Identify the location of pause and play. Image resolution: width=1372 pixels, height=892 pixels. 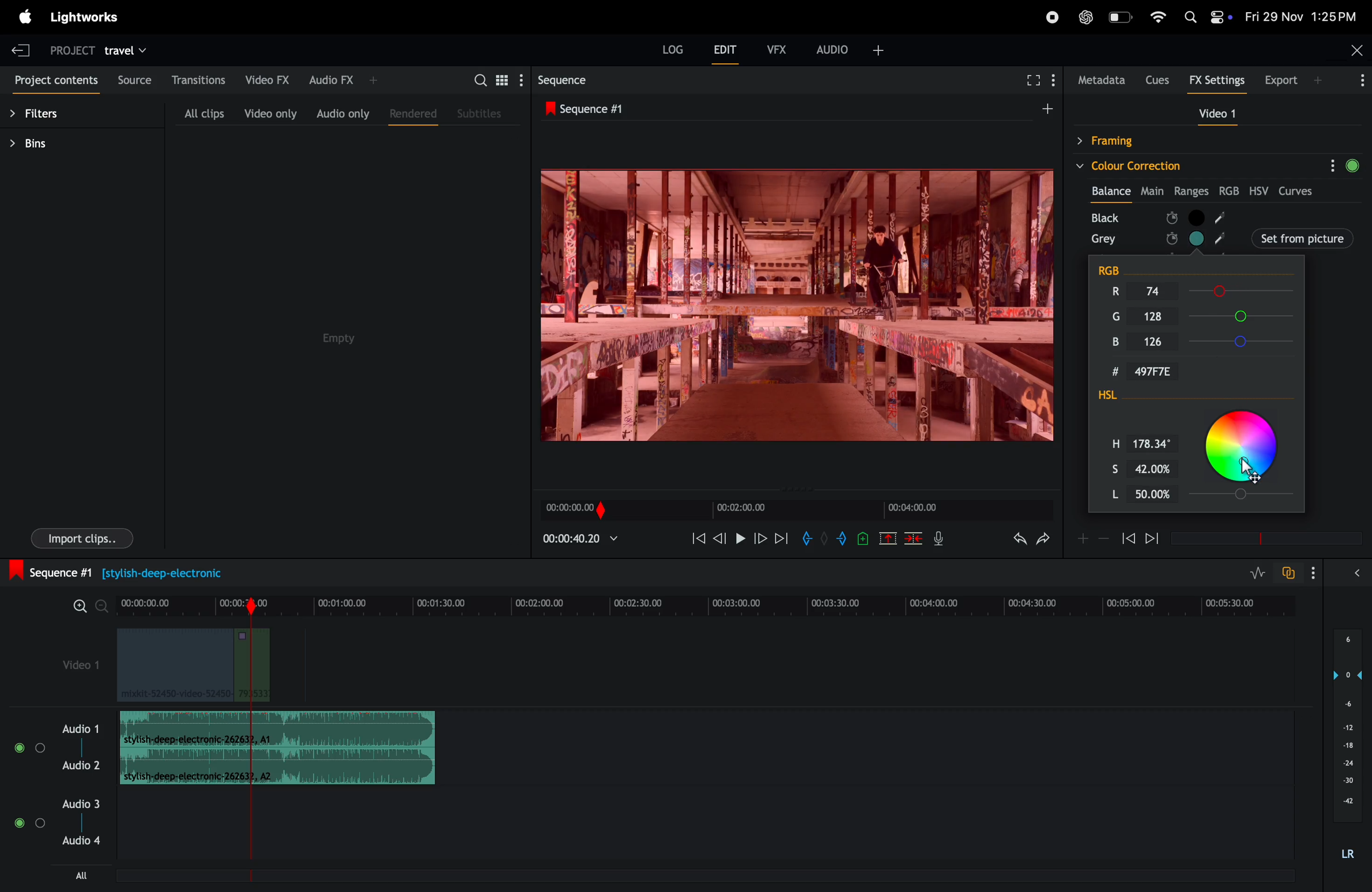
(744, 538).